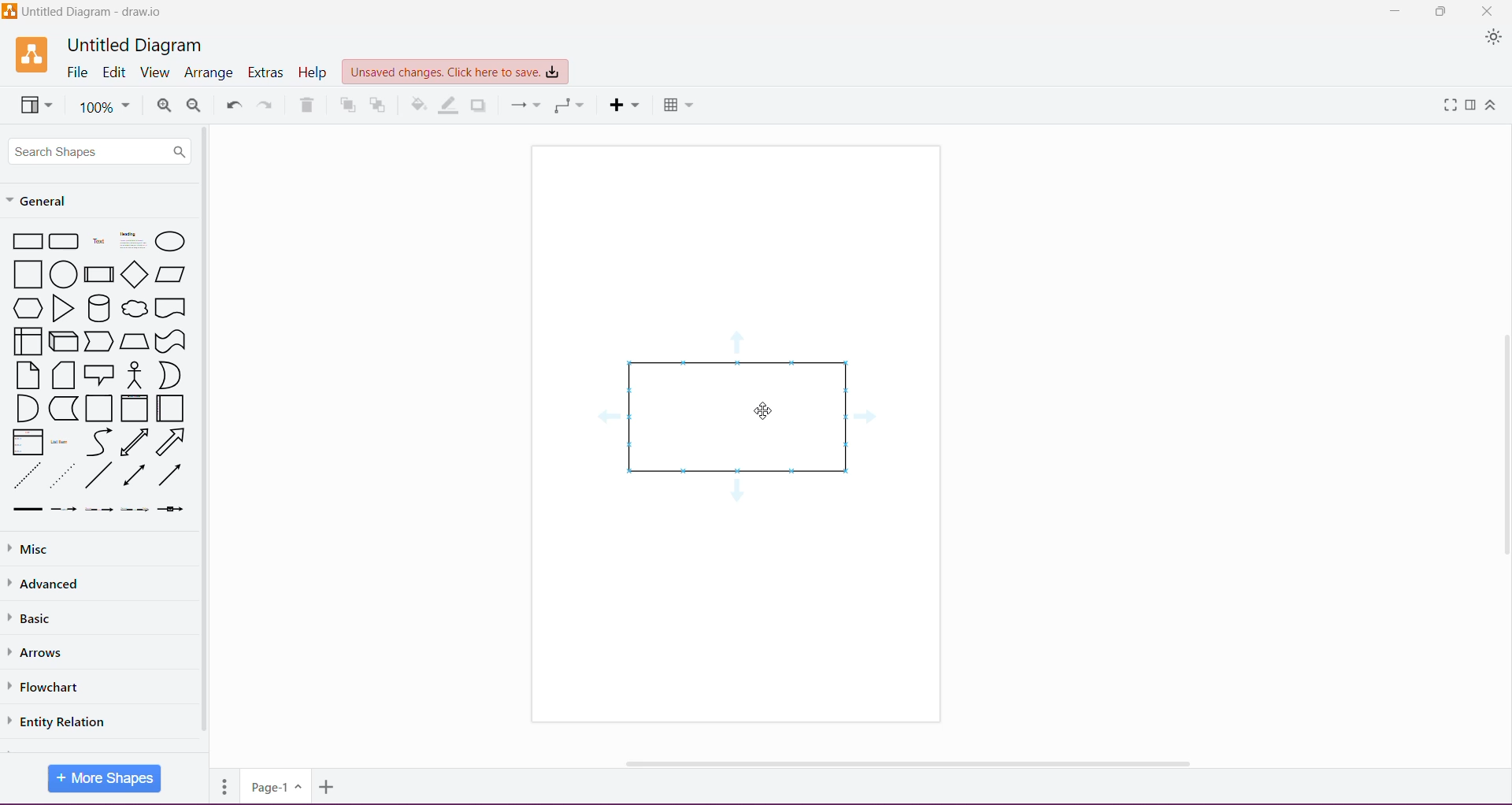 This screenshot has height=805, width=1512. Describe the element at coordinates (450, 106) in the screenshot. I see `Line Color` at that location.